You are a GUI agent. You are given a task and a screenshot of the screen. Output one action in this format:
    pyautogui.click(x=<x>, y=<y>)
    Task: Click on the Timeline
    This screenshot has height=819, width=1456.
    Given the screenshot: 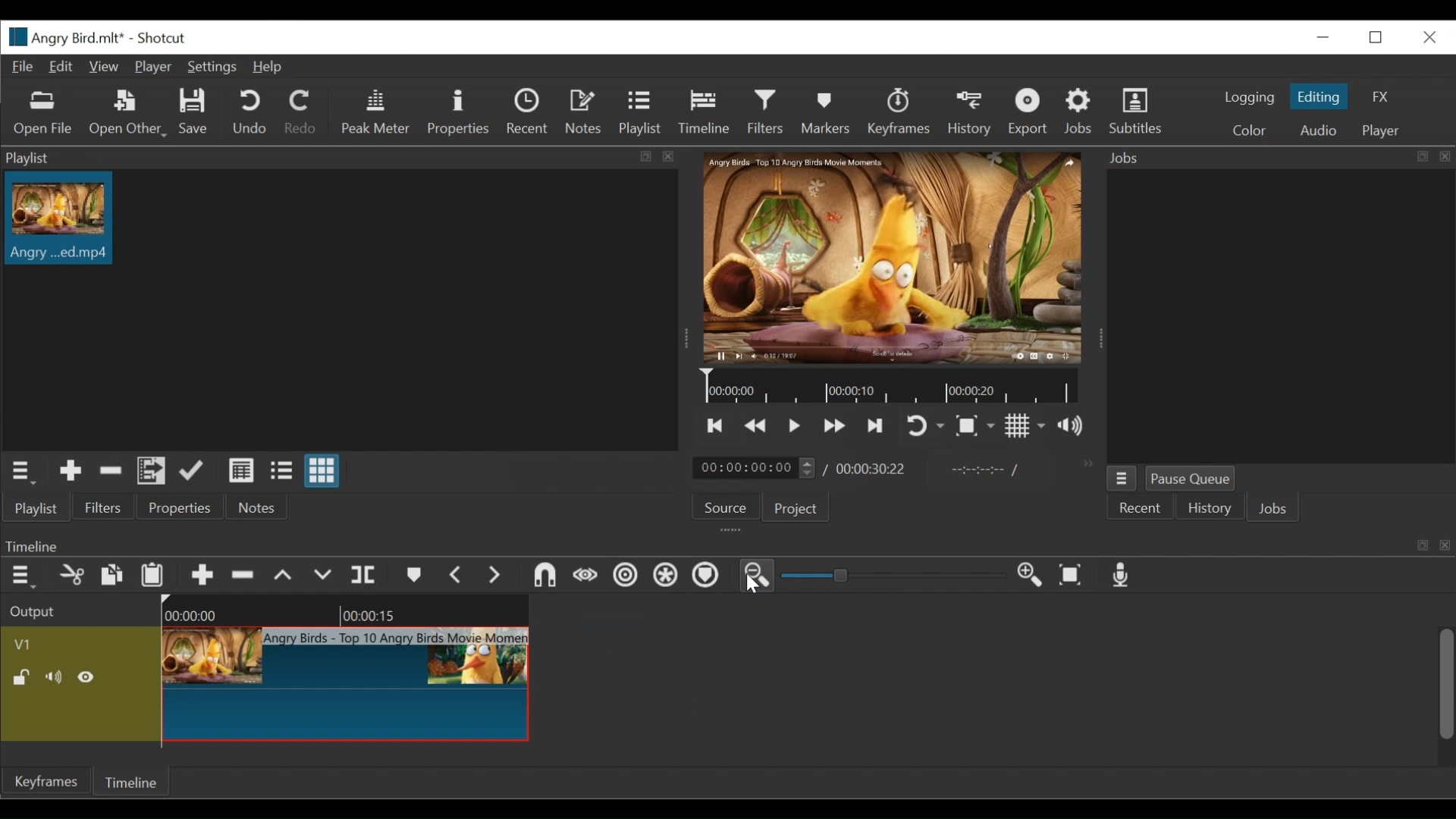 What is the action you would take?
    pyautogui.click(x=704, y=111)
    